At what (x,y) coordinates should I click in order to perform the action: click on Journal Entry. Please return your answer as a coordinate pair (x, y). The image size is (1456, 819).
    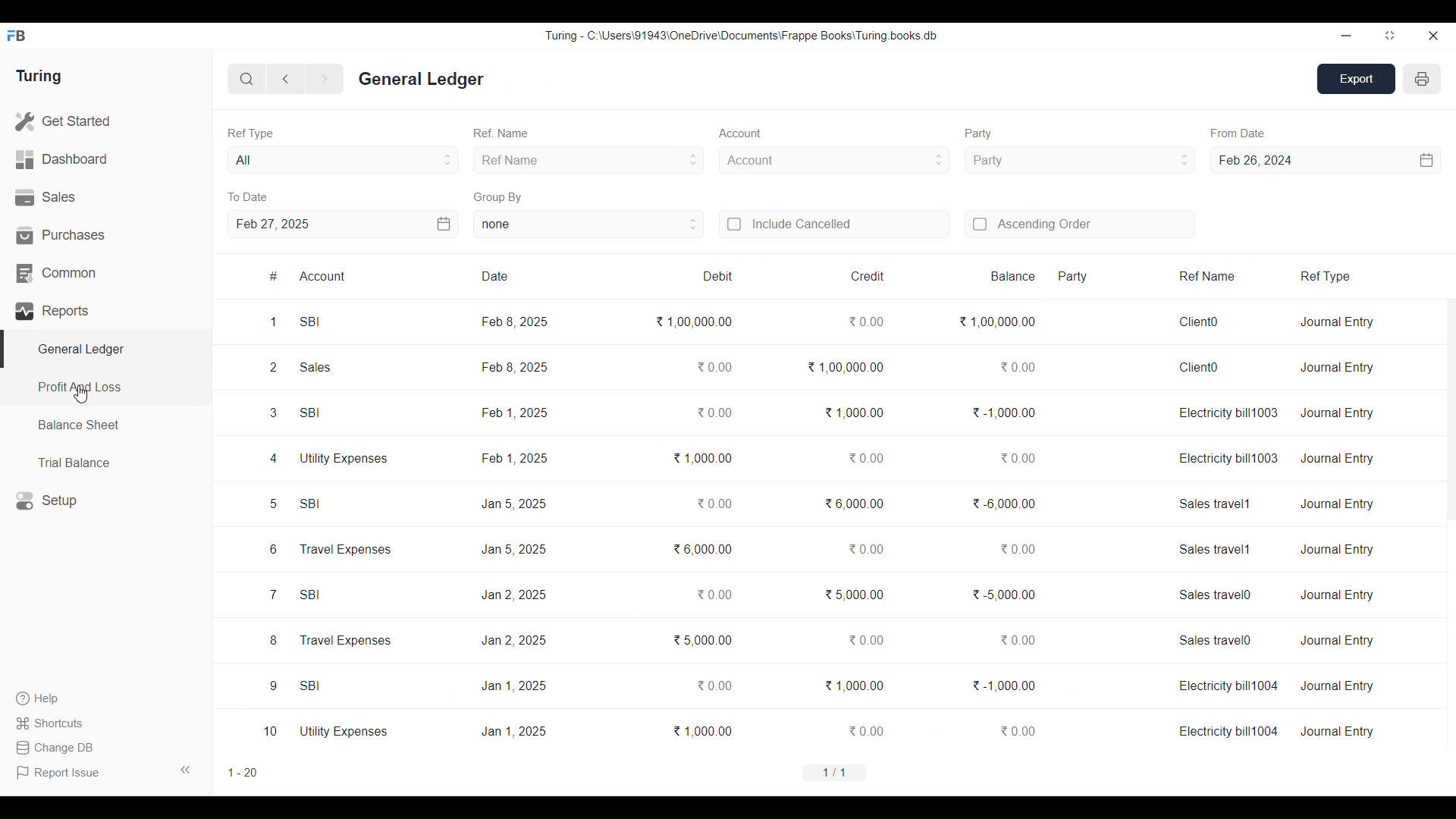
    Looking at the image, I should click on (1336, 322).